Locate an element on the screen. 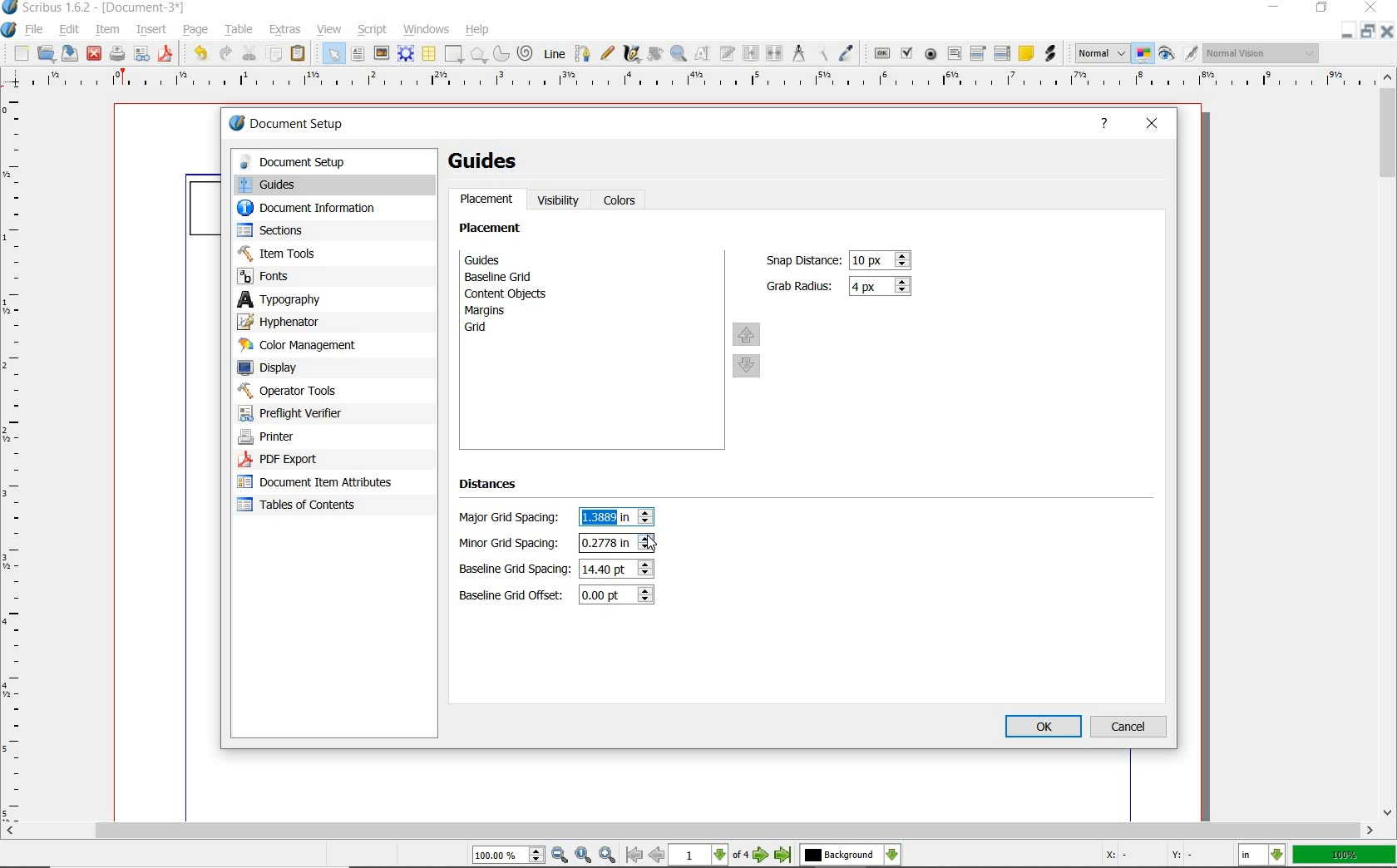 The height and width of the screenshot is (868, 1397). select image preview mode is located at coordinates (1102, 52).